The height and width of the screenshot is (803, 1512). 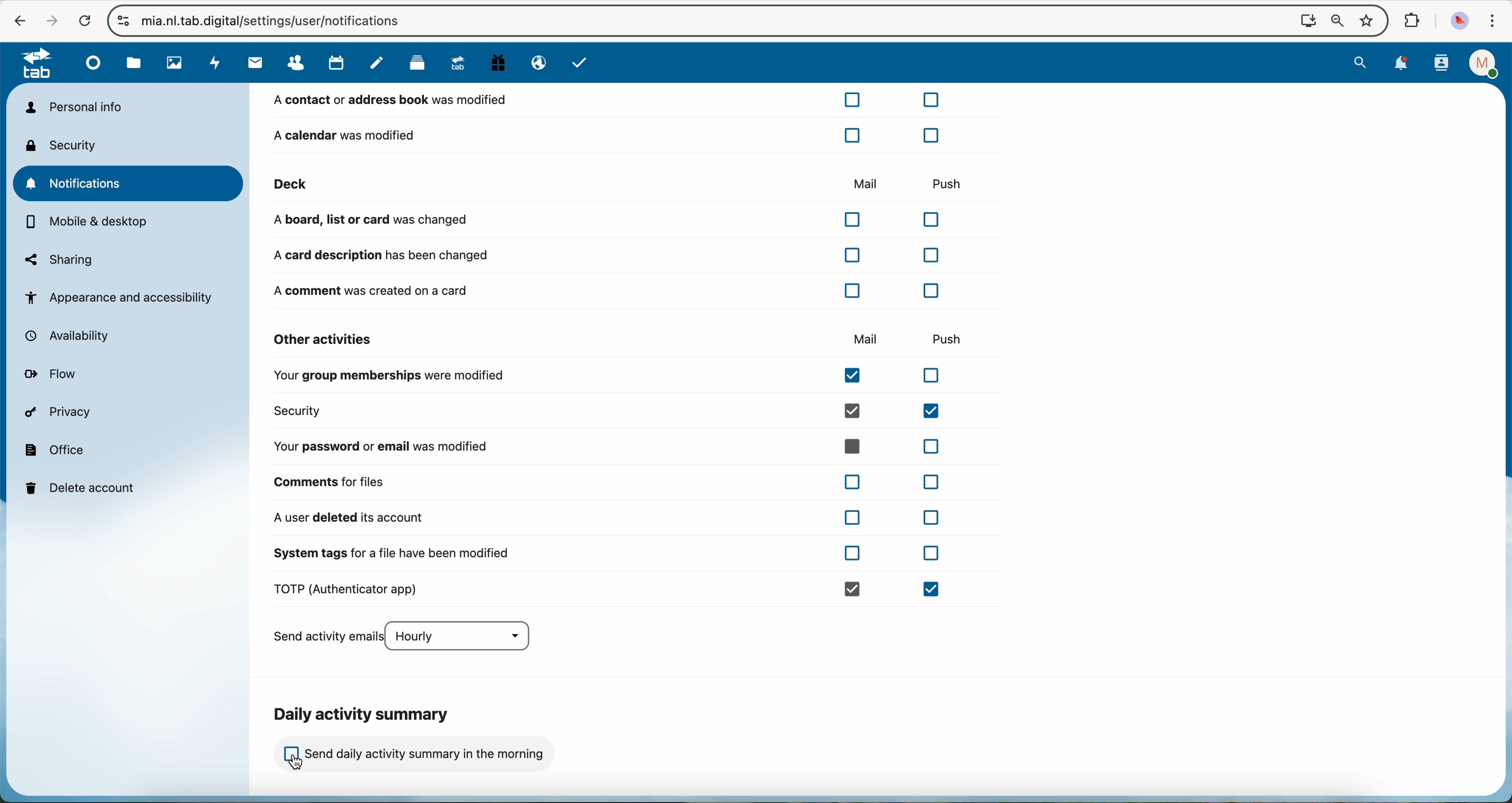 I want to click on system tags for a file have been modified, so click(x=606, y=558).